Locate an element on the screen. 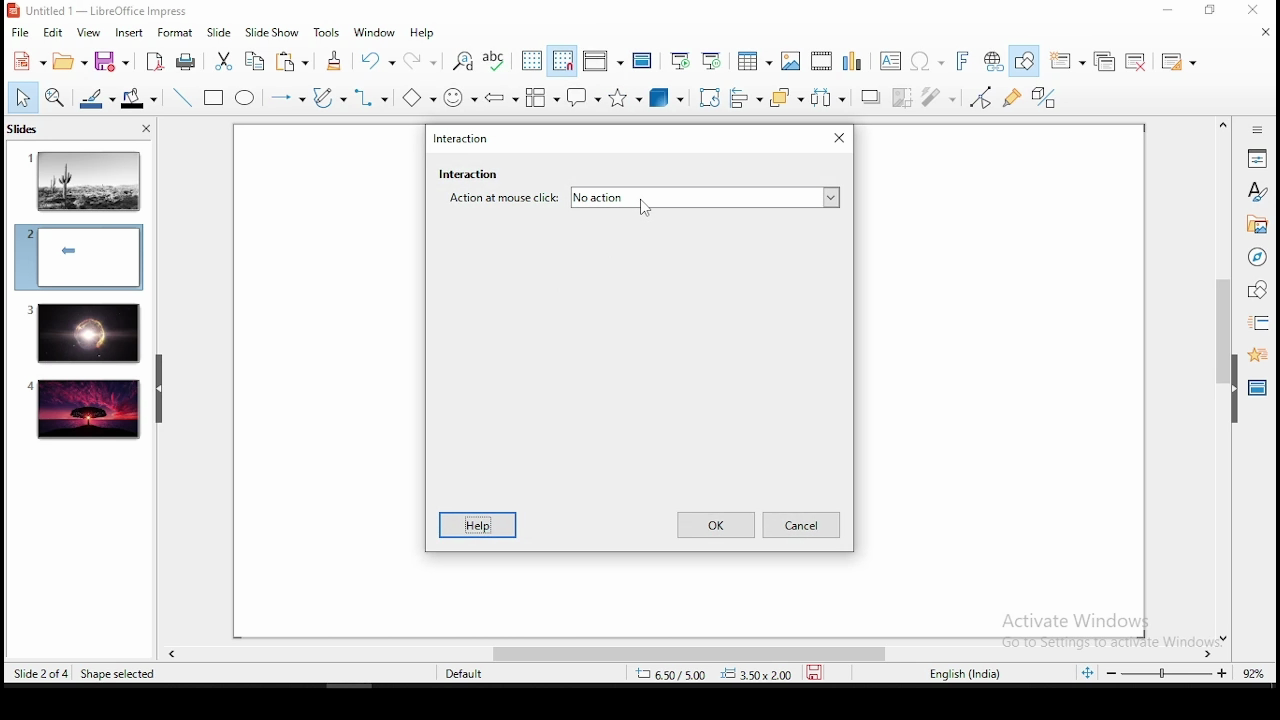  ellipse is located at coordinates (244, 98).